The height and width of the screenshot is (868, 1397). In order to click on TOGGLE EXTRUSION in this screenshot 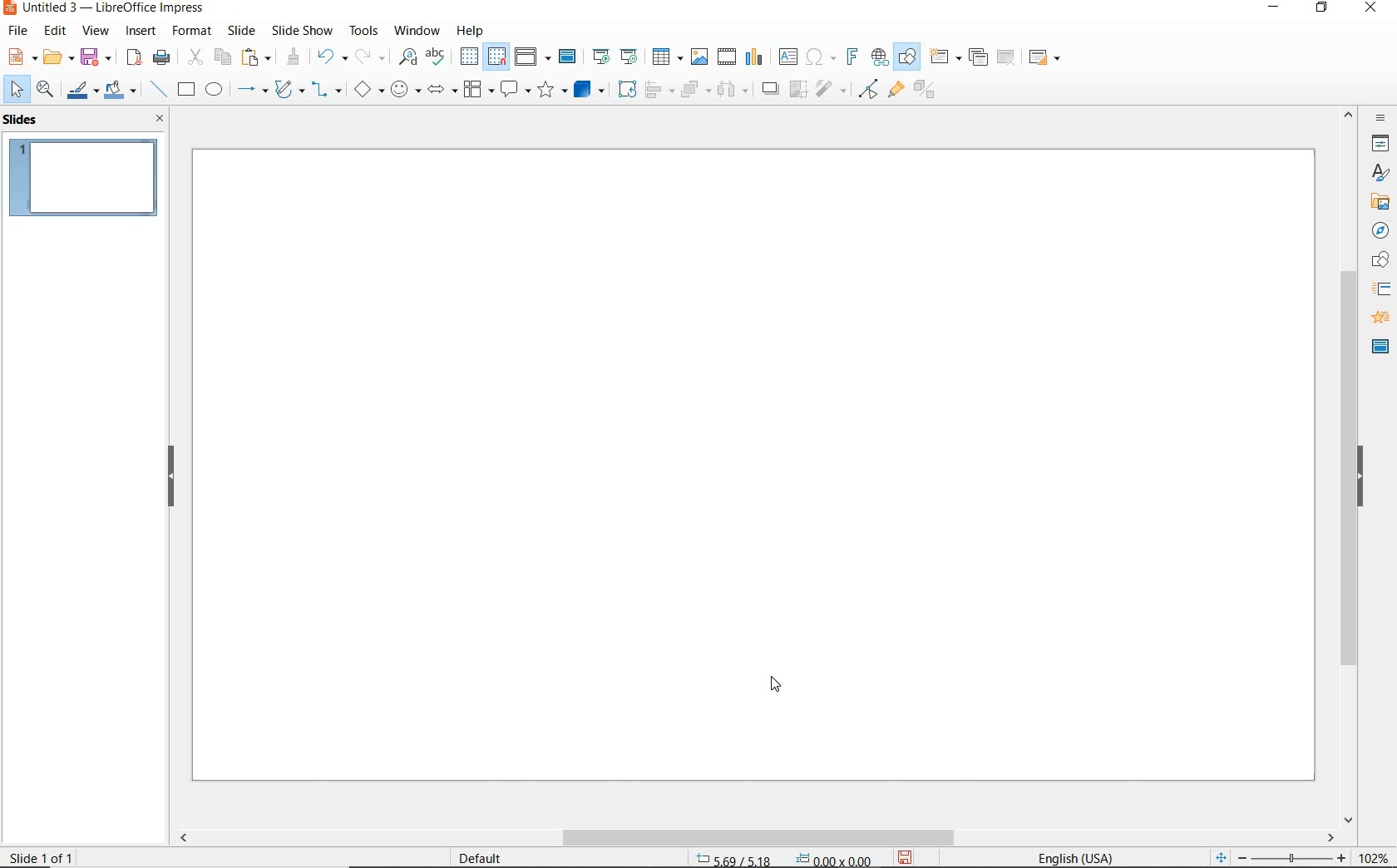, I will do `click(924, 91)`.